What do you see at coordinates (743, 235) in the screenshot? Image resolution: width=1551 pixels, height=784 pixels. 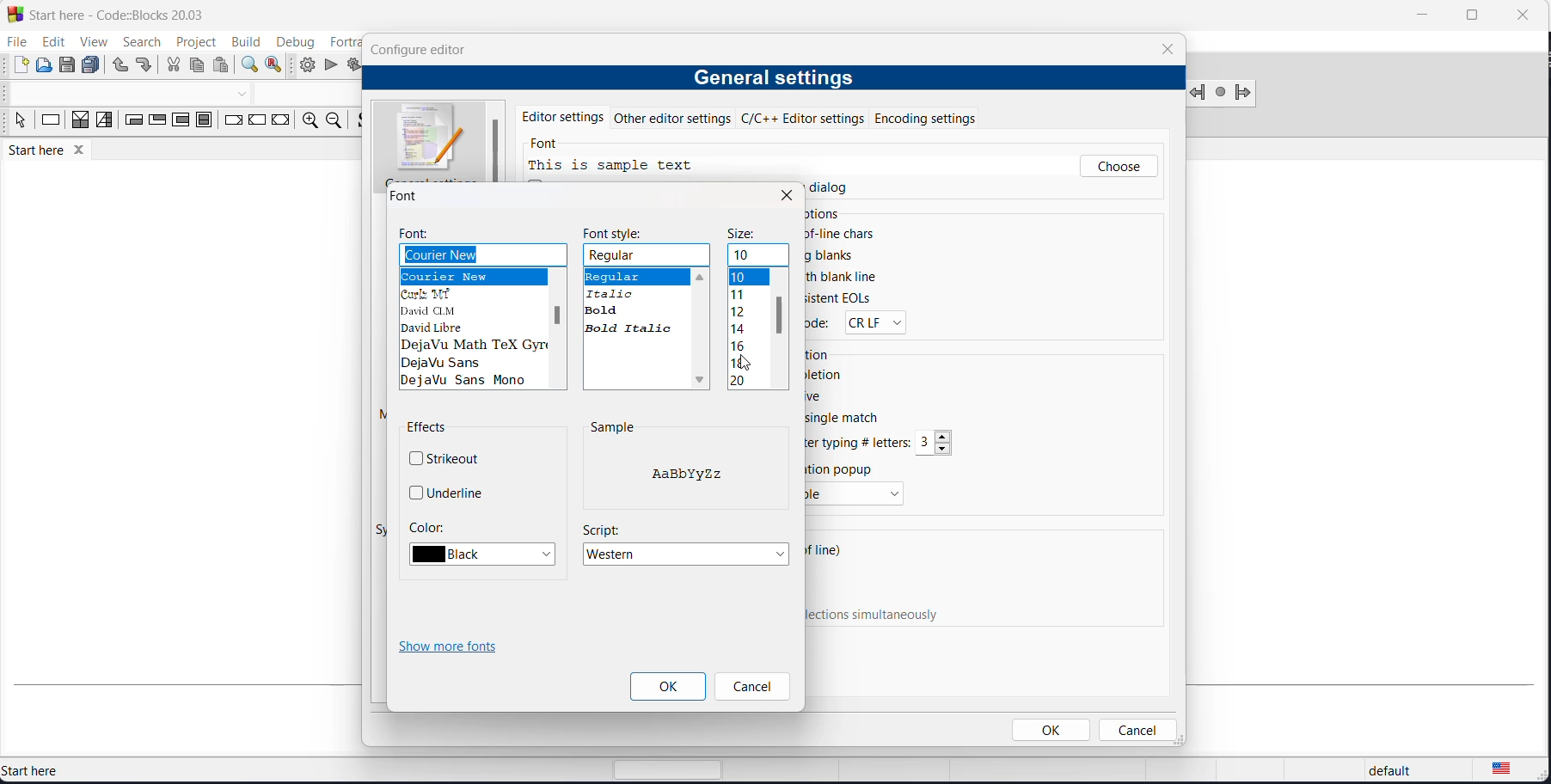 I see `size ` at bounding box center [743, 235].